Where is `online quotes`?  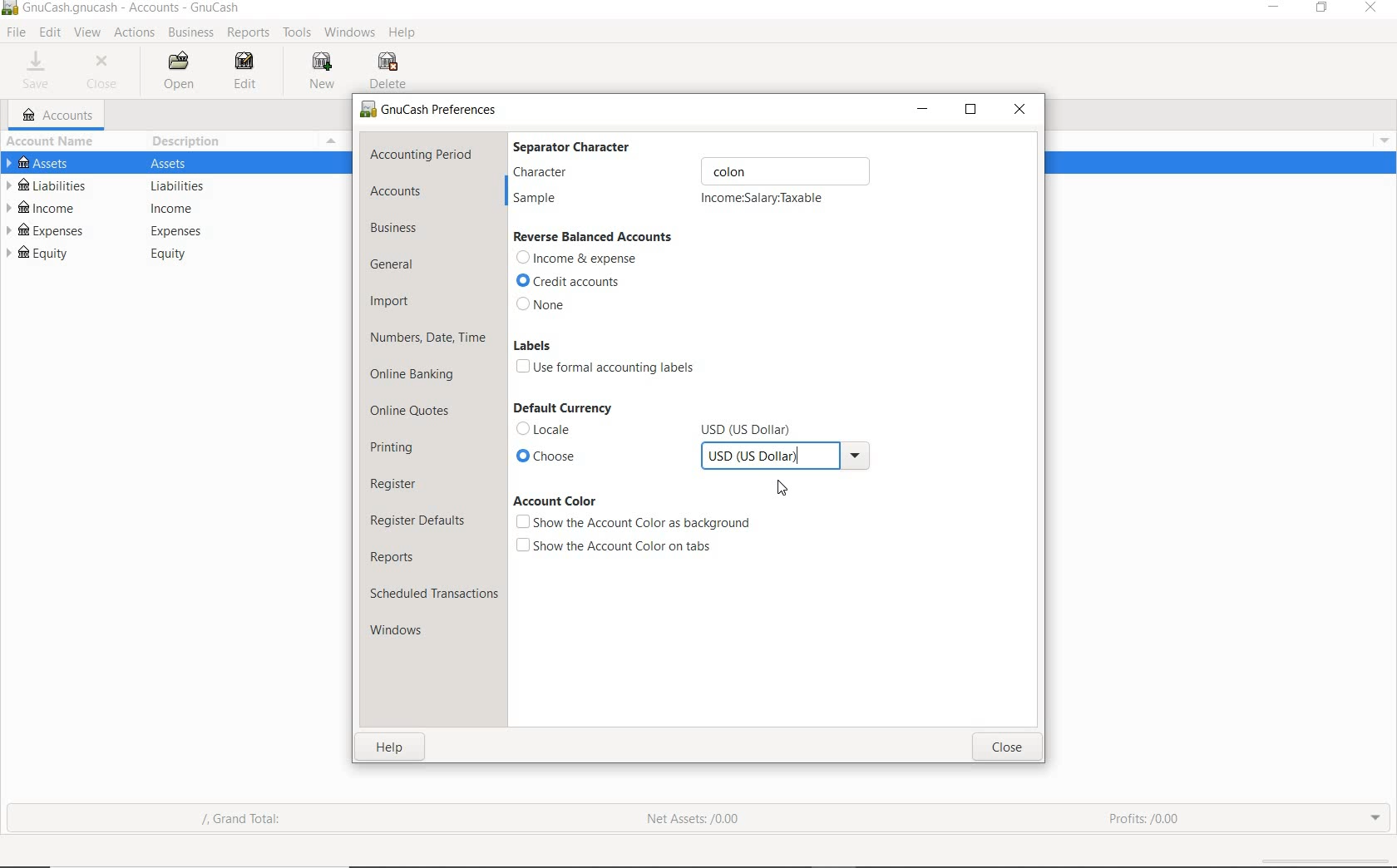 online quotes is located at coordinates (416, 412).